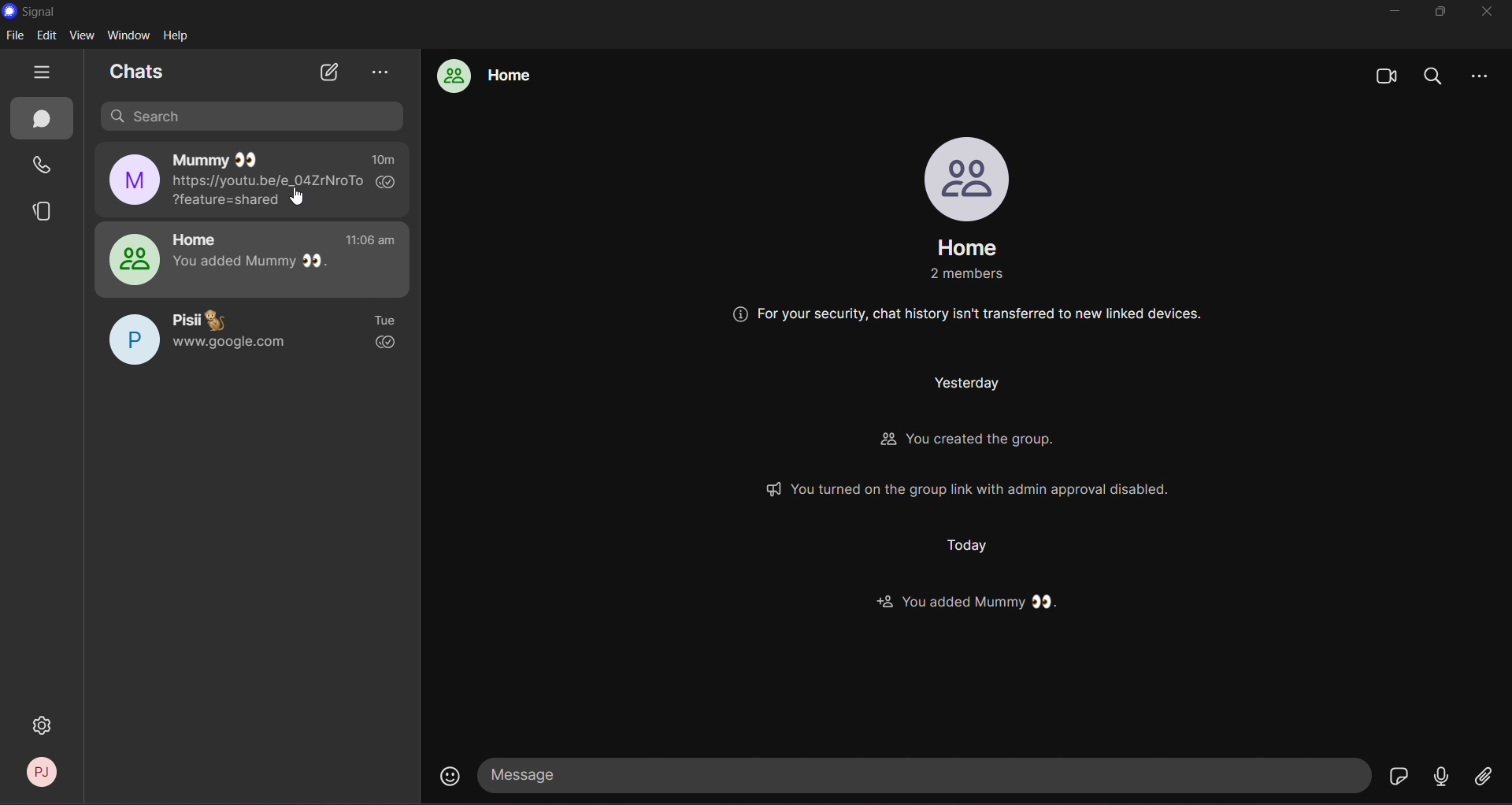 The image size is (1512, 805). I want to click on file, so click(17, 35).